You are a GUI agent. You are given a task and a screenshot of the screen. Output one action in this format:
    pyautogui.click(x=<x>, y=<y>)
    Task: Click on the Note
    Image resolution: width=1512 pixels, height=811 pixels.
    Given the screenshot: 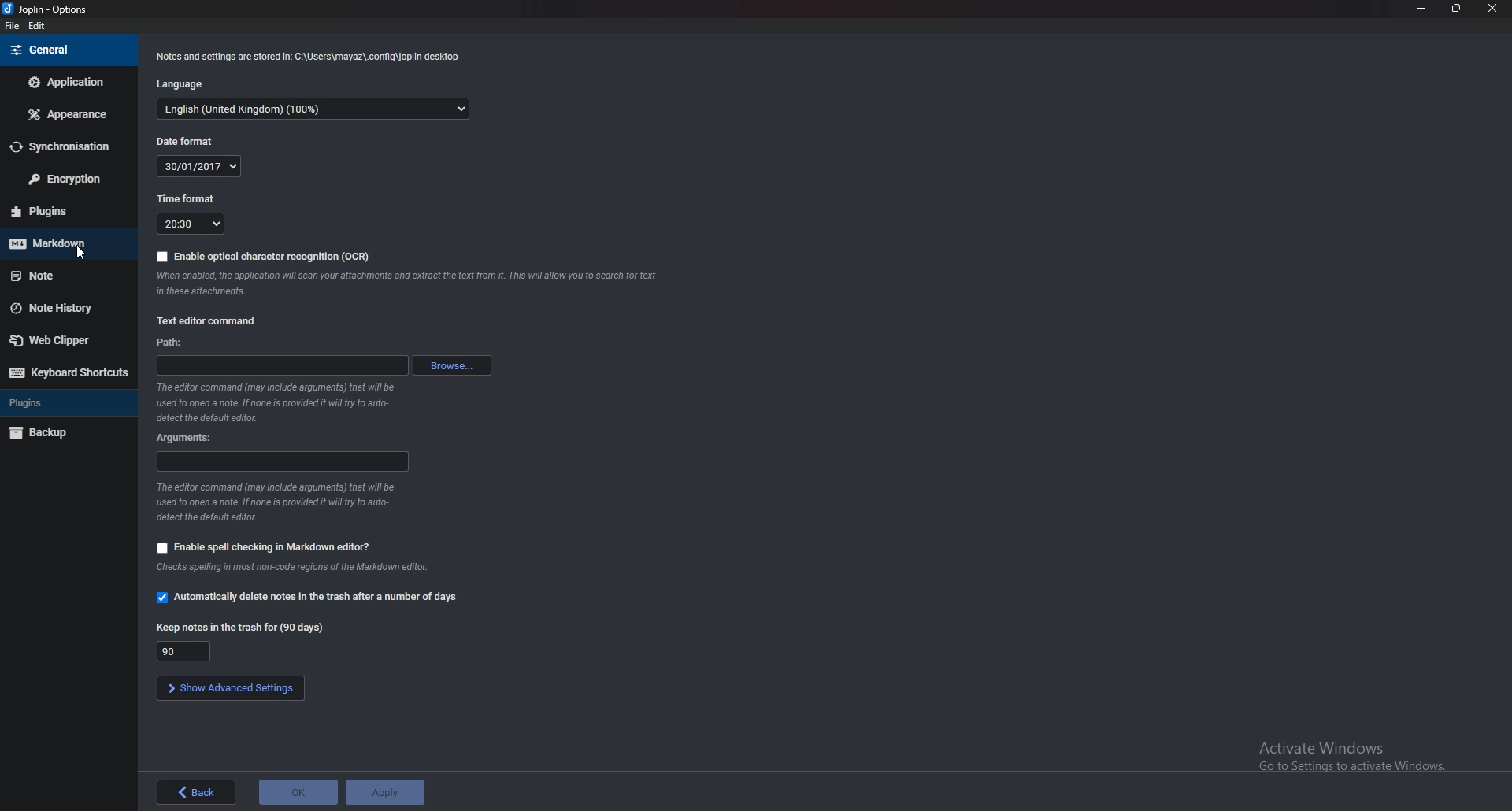 What is the action you would take?
    pyautogui.click(x=61, y=275)
    